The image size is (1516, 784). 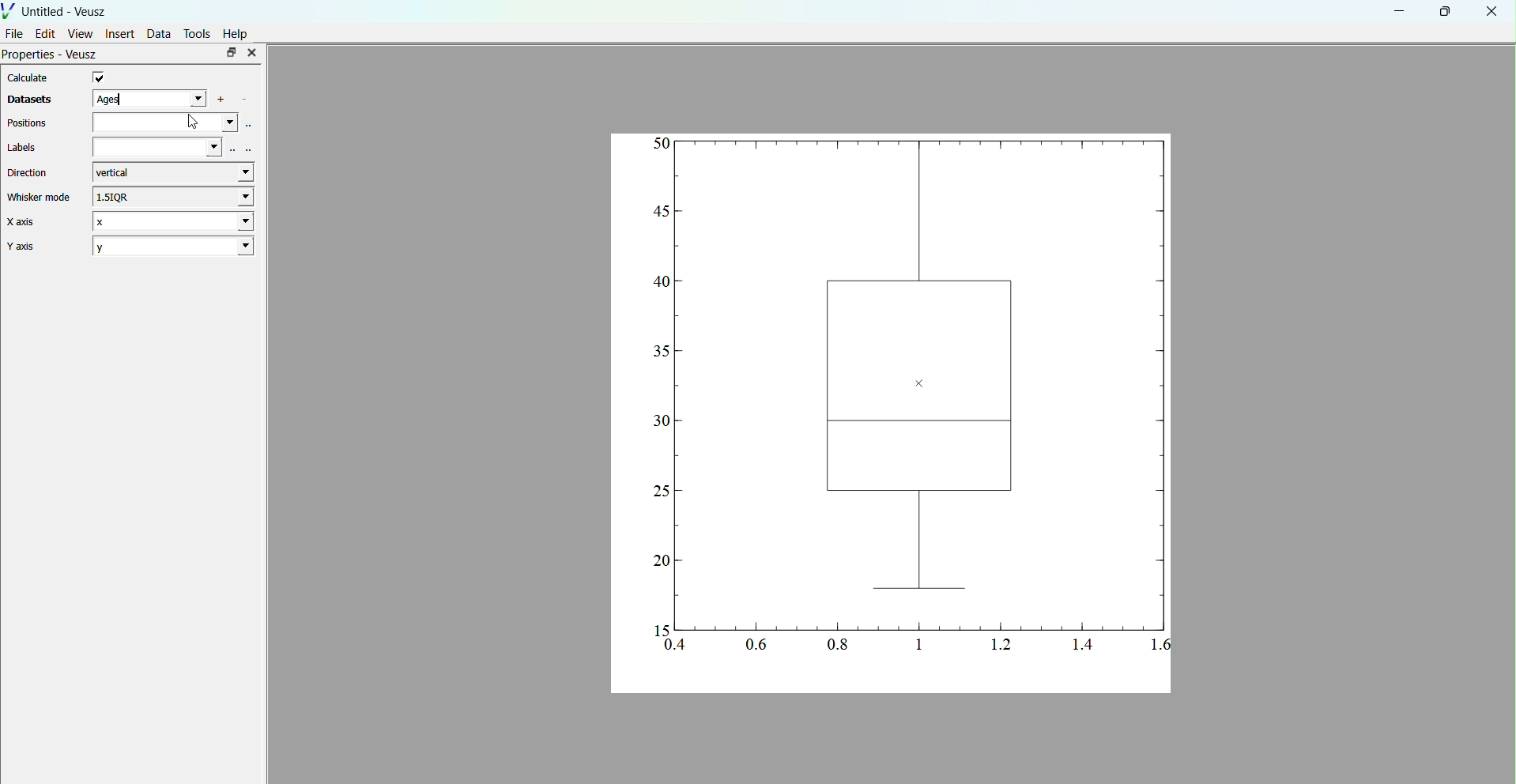 What do you see at coordinates (198, 33) in the screenshot?
I see `Tools` at bounding box center [198, 33].